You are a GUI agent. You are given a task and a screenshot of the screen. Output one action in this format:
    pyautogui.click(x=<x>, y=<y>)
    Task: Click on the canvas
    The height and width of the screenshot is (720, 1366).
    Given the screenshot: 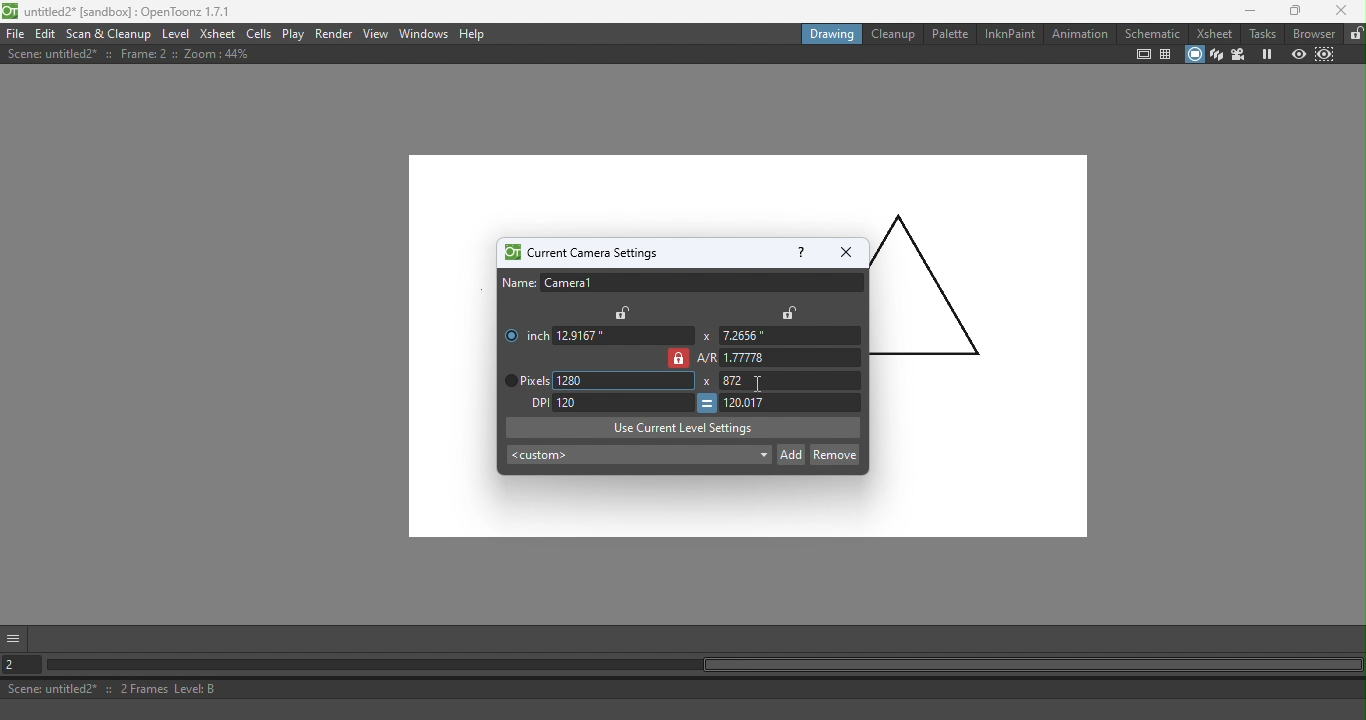 What is the action you would take?
    pyautogui.click(x=977, y=387)
    